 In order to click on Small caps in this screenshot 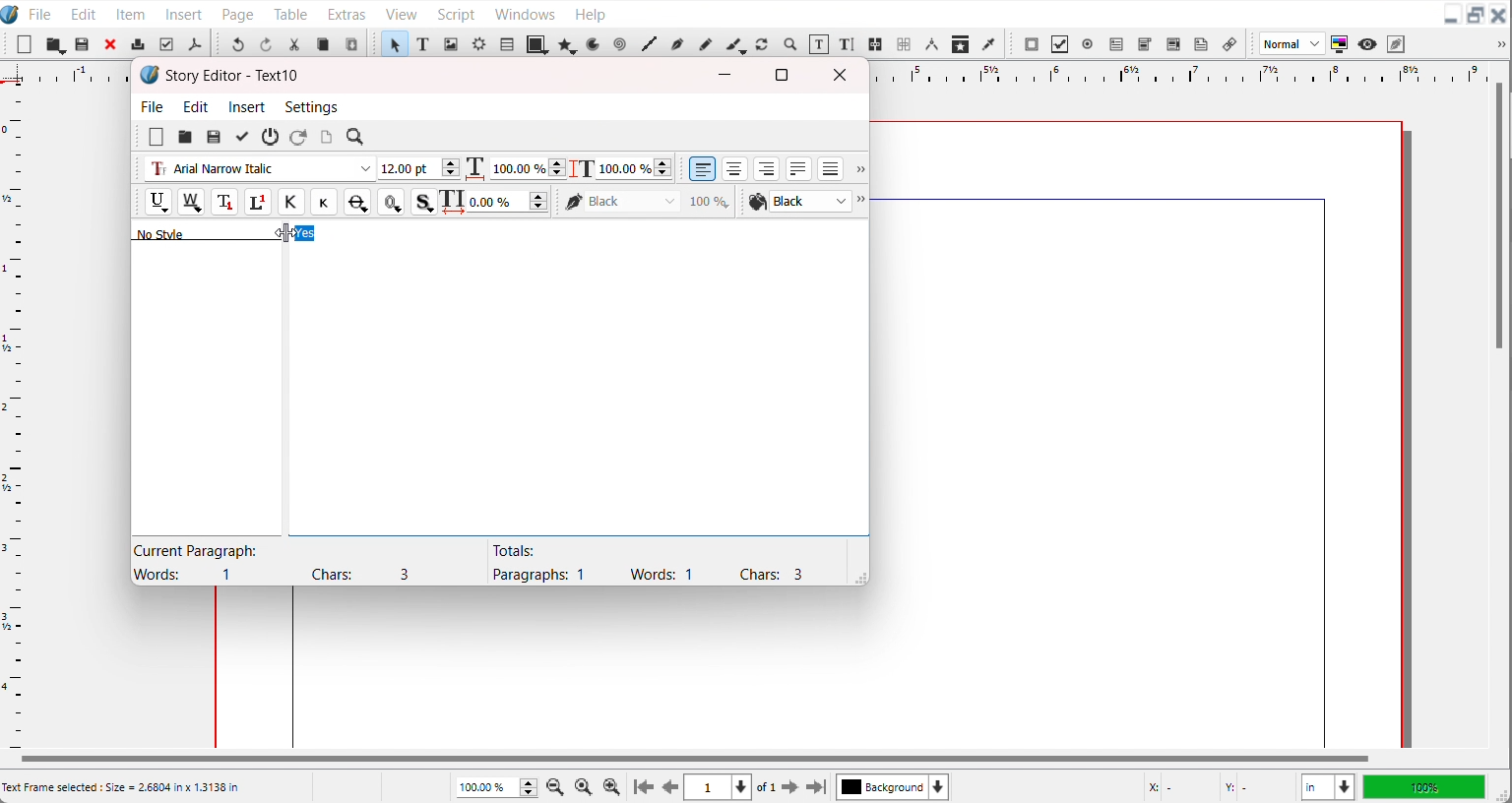, I will do `click(323, 201)`.